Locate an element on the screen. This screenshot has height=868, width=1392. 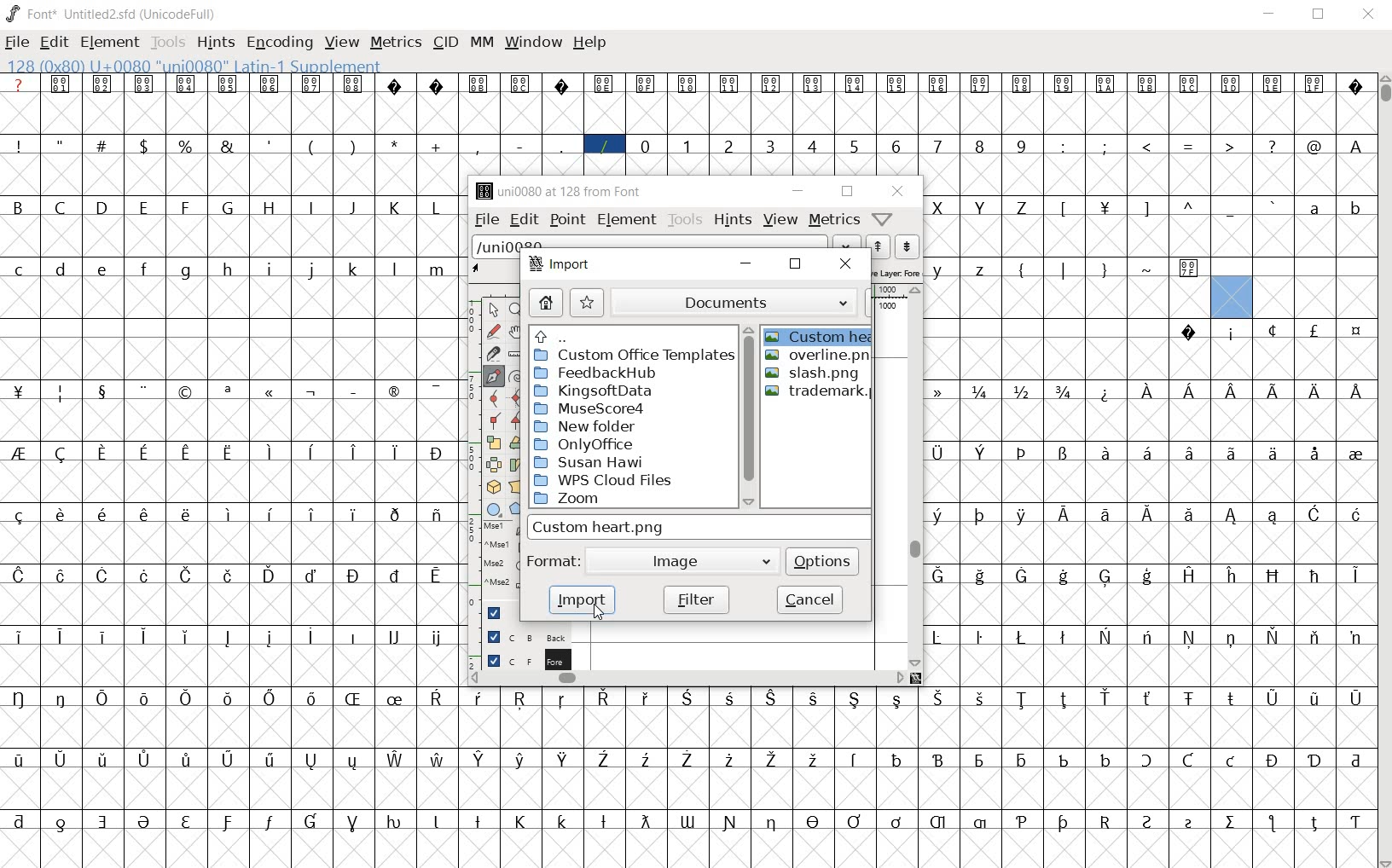
glyph is located at coordinates (270, 85).